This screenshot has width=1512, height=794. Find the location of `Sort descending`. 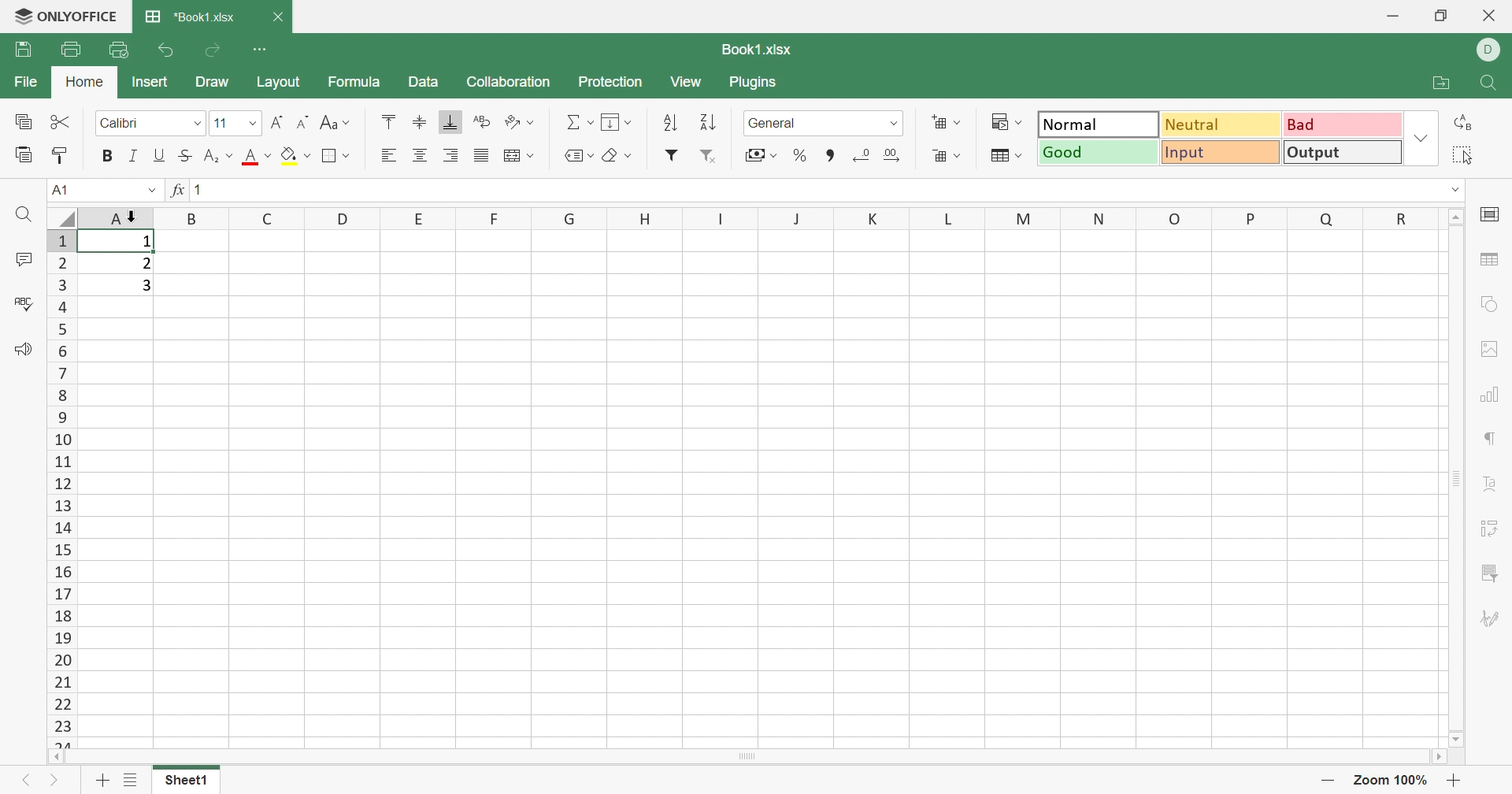

Sort descending is located at coordinates (707, 124).